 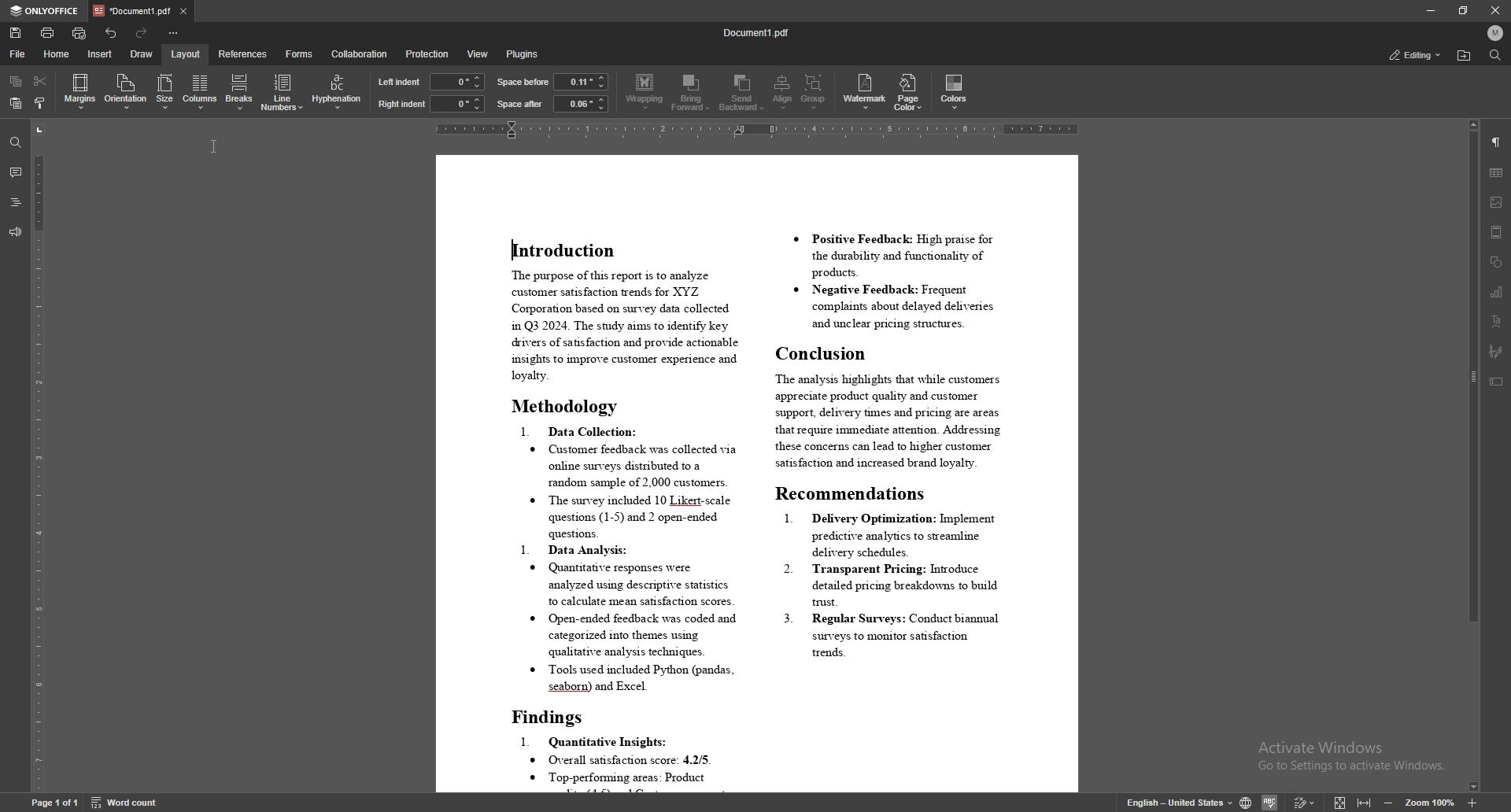 What do you see at coordinates (1414, 55) in the screenshot?
I see `status` at bounding box center [1414, 55].